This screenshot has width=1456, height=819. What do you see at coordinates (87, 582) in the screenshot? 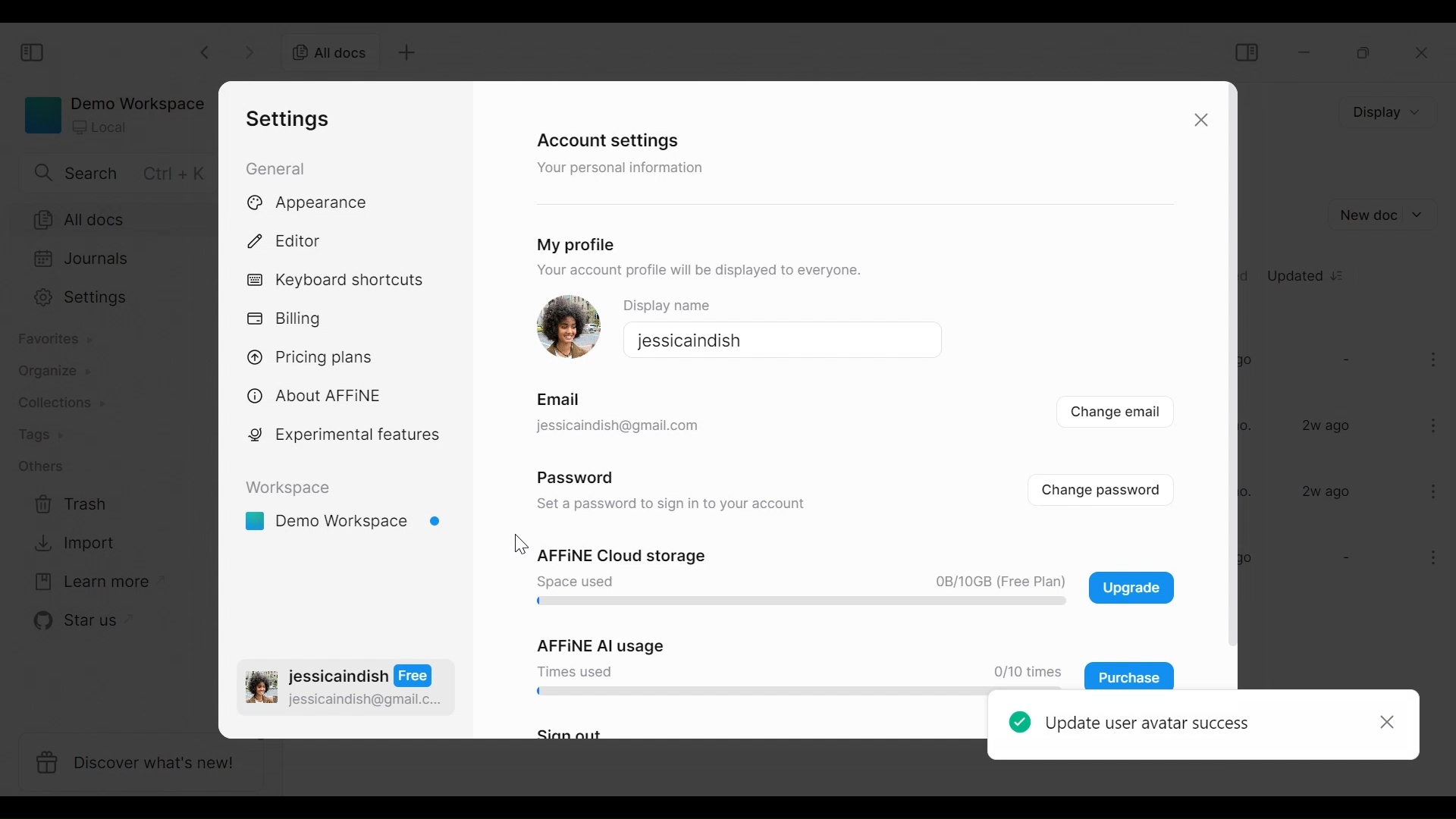
I see `Learn more` at bounding box center [87, 582].